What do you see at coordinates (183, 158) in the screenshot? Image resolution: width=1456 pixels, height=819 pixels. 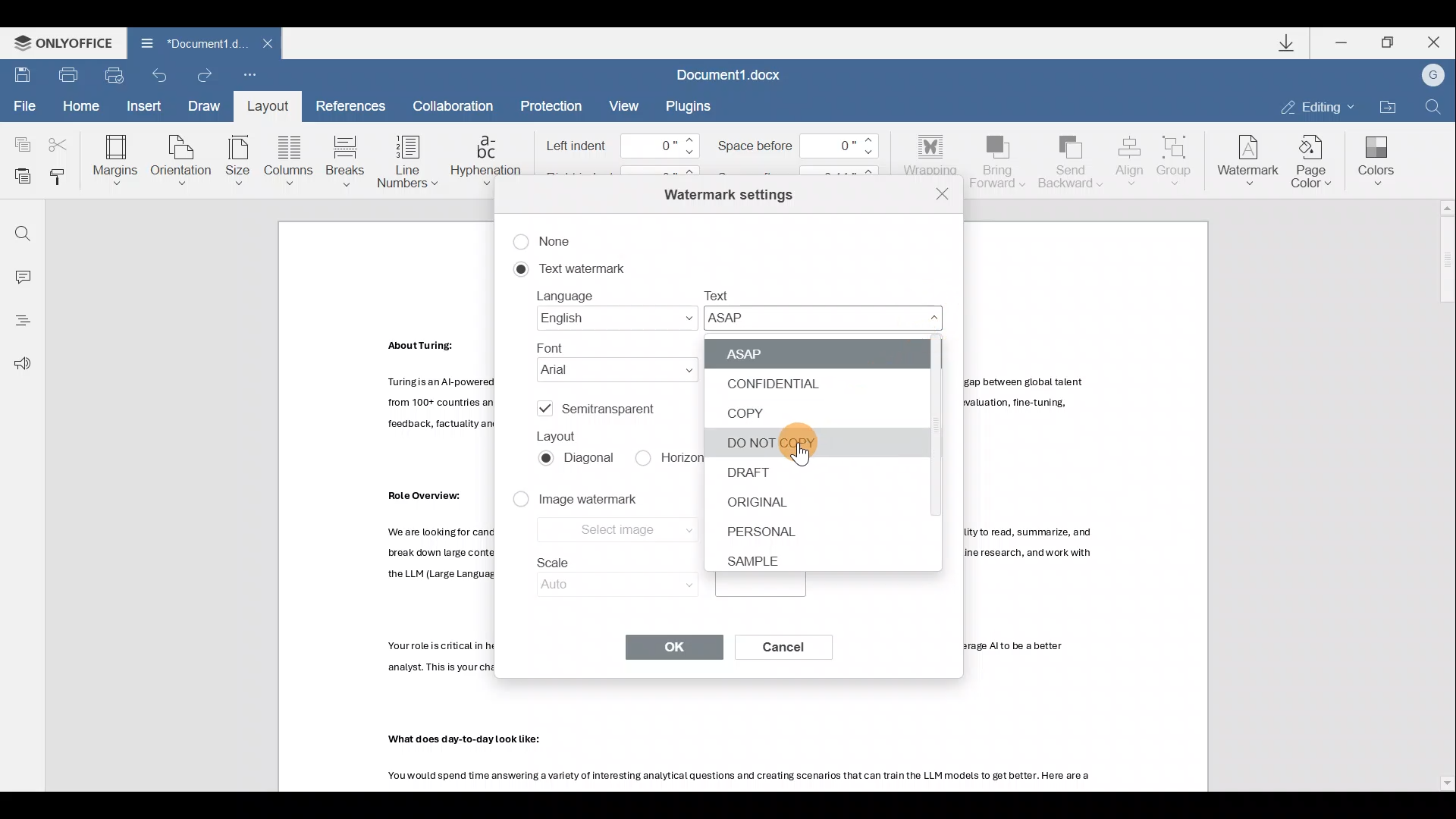 I see `Orientation` at bounding box center [183, 158].